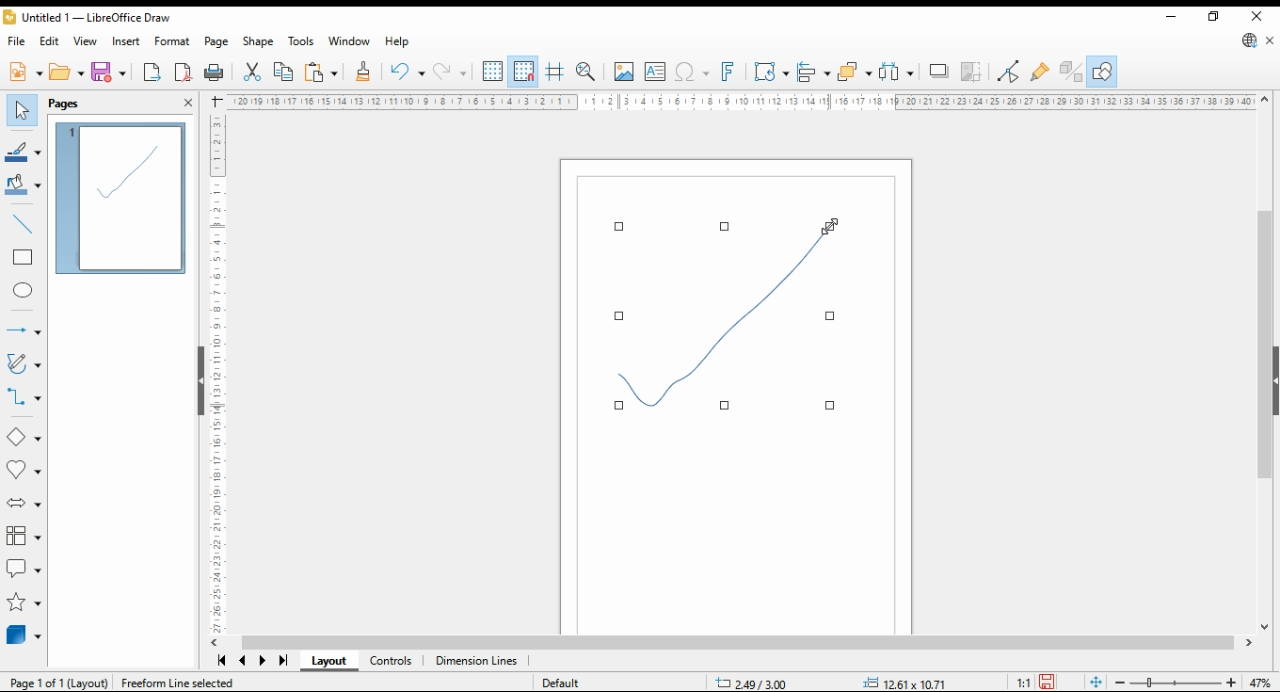 The width and height of the screenshot is (1280, 692). I want to click on file, so click(15, 41).